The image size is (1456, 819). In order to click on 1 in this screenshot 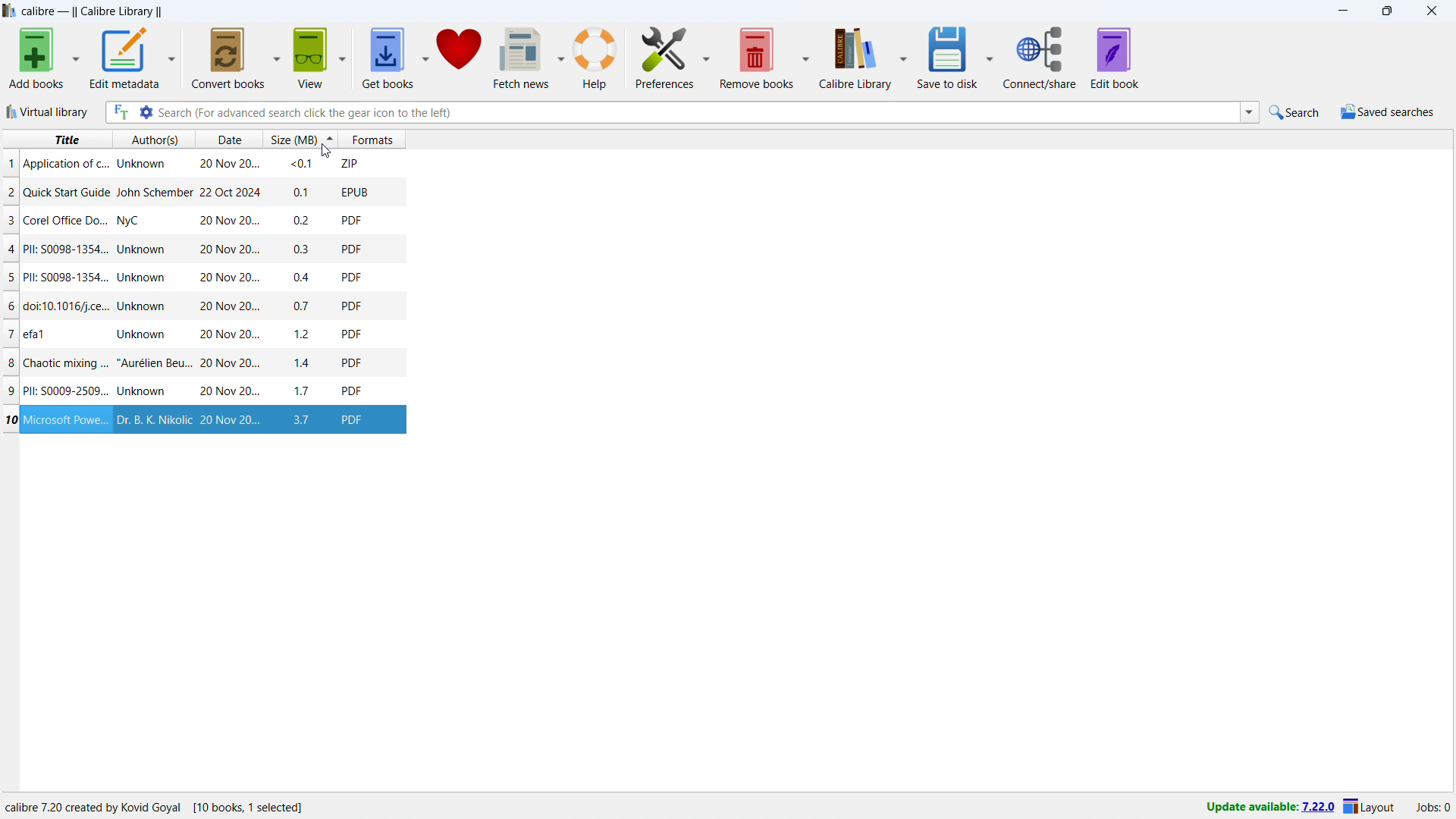, I will do `click(9, 164)`.